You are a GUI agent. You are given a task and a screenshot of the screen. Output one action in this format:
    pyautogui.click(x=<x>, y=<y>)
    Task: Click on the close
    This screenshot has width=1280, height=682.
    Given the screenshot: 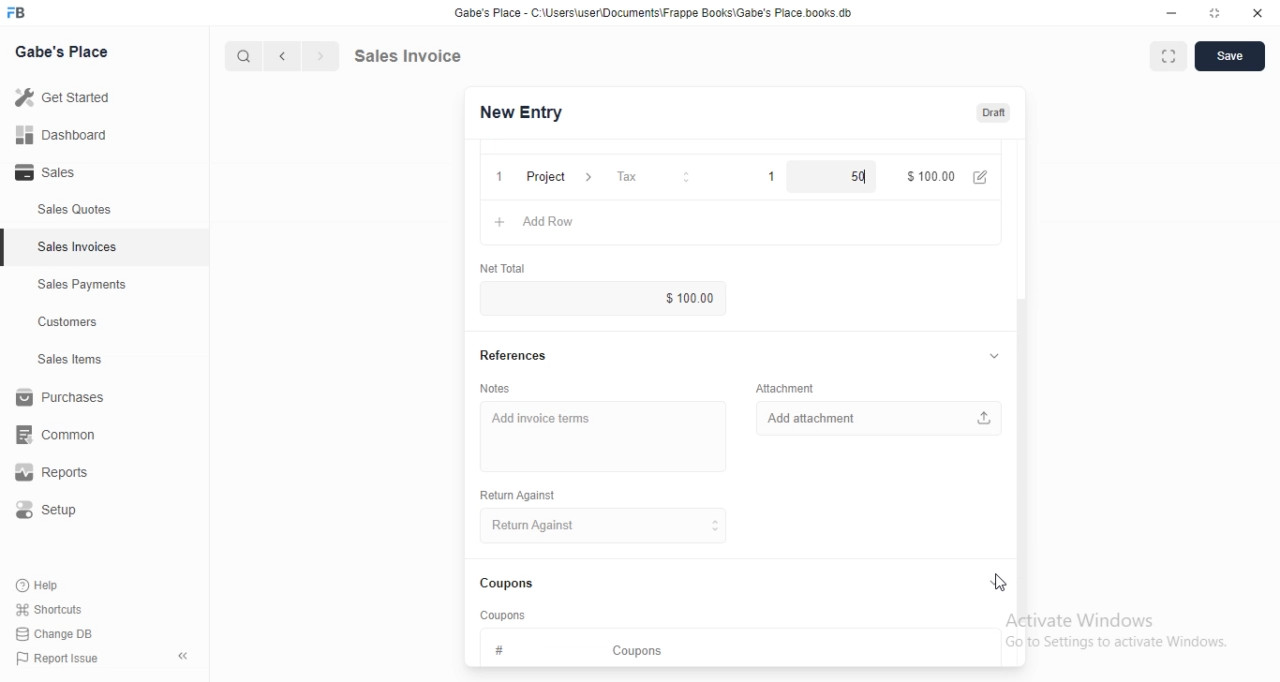 What is the action you would take?
    pyautogui.click(x=1257, y=14)
    